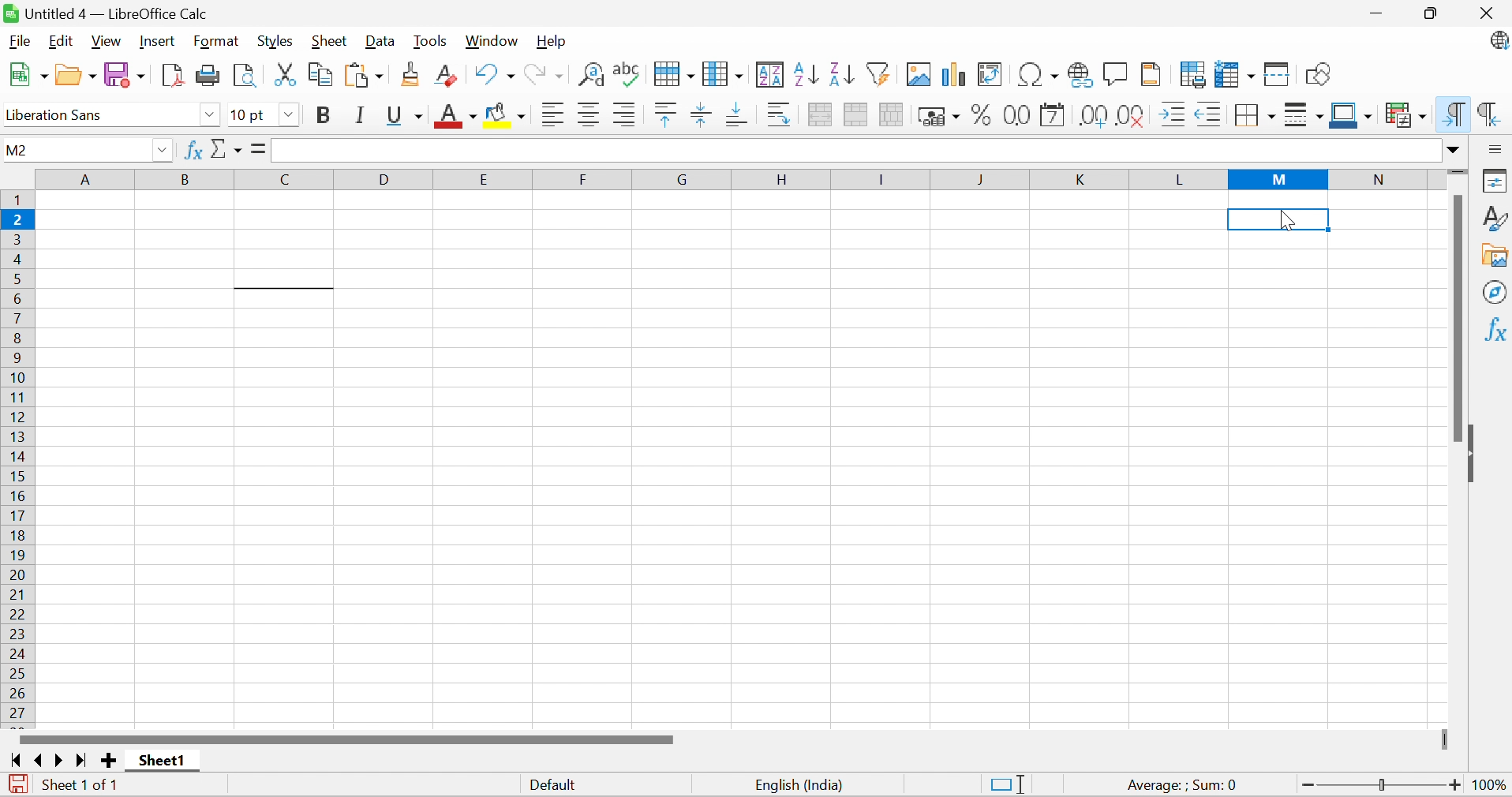  Describe the element at coordinates (256, 148) in the screenshot. I see `Formula` at that location.